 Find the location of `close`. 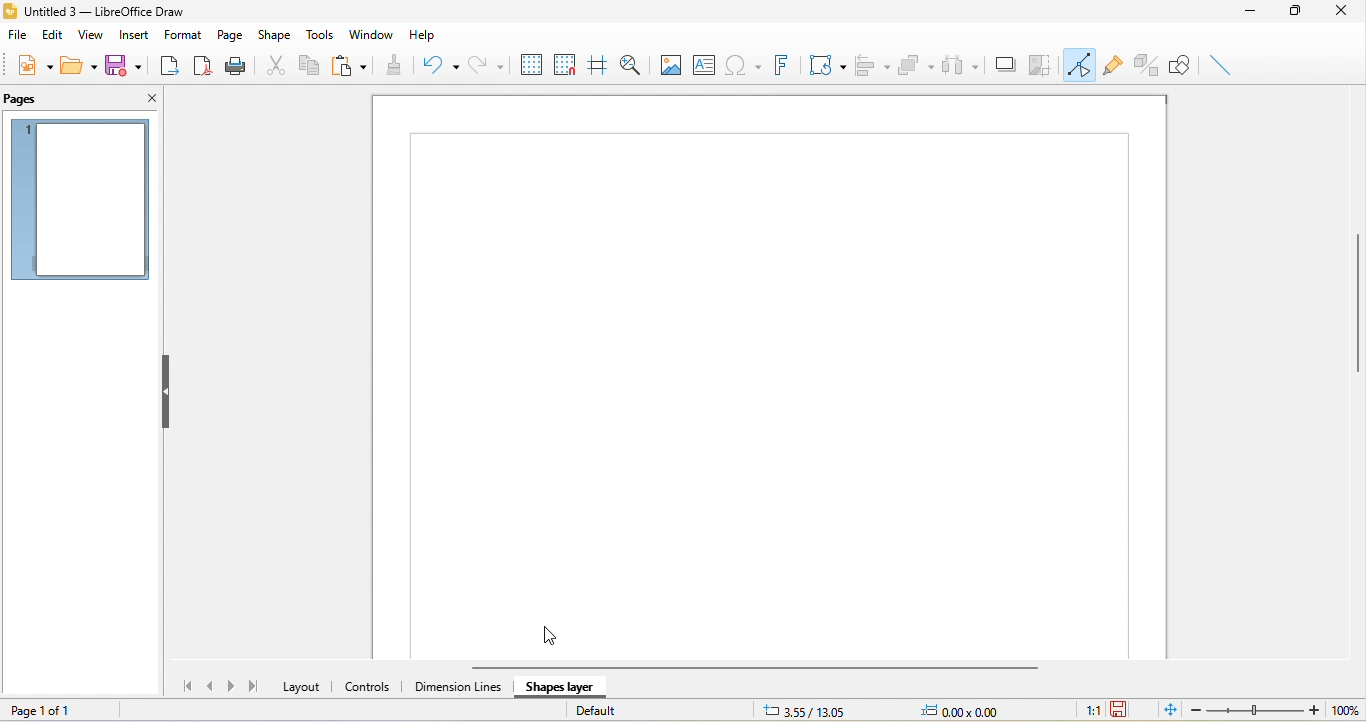

close is located at coordinates (146, 100).